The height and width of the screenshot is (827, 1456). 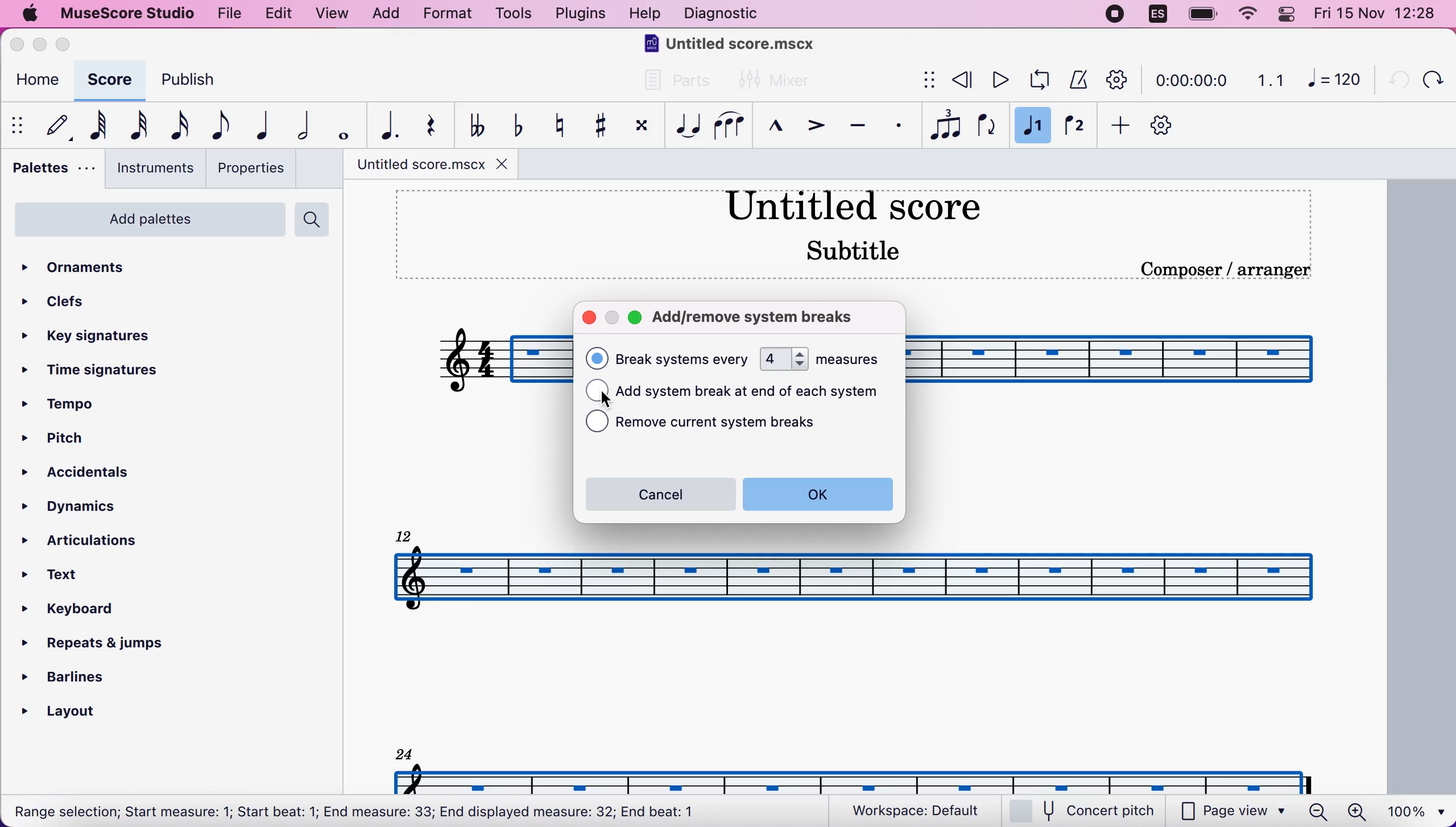 What do you see at coordinates (333, 15) in the screenshot?
I see `view` at bounding box center [333, 15].